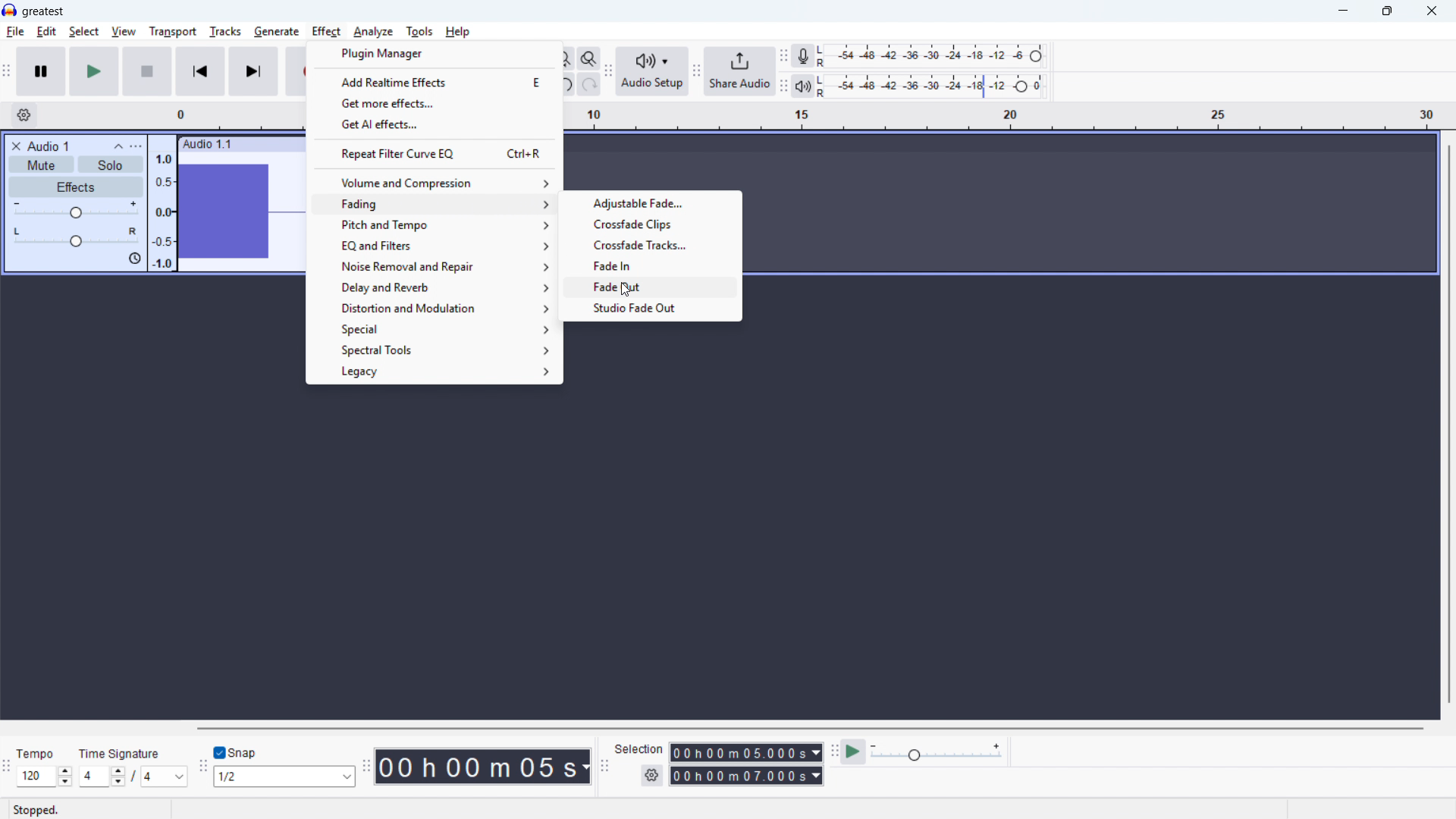 The width and height of the screenshot is (1456, 819). What do you see at coordinates (435, 124) in the screenshot?
I see `Get AI effects ` at bounding box center [435, 124].